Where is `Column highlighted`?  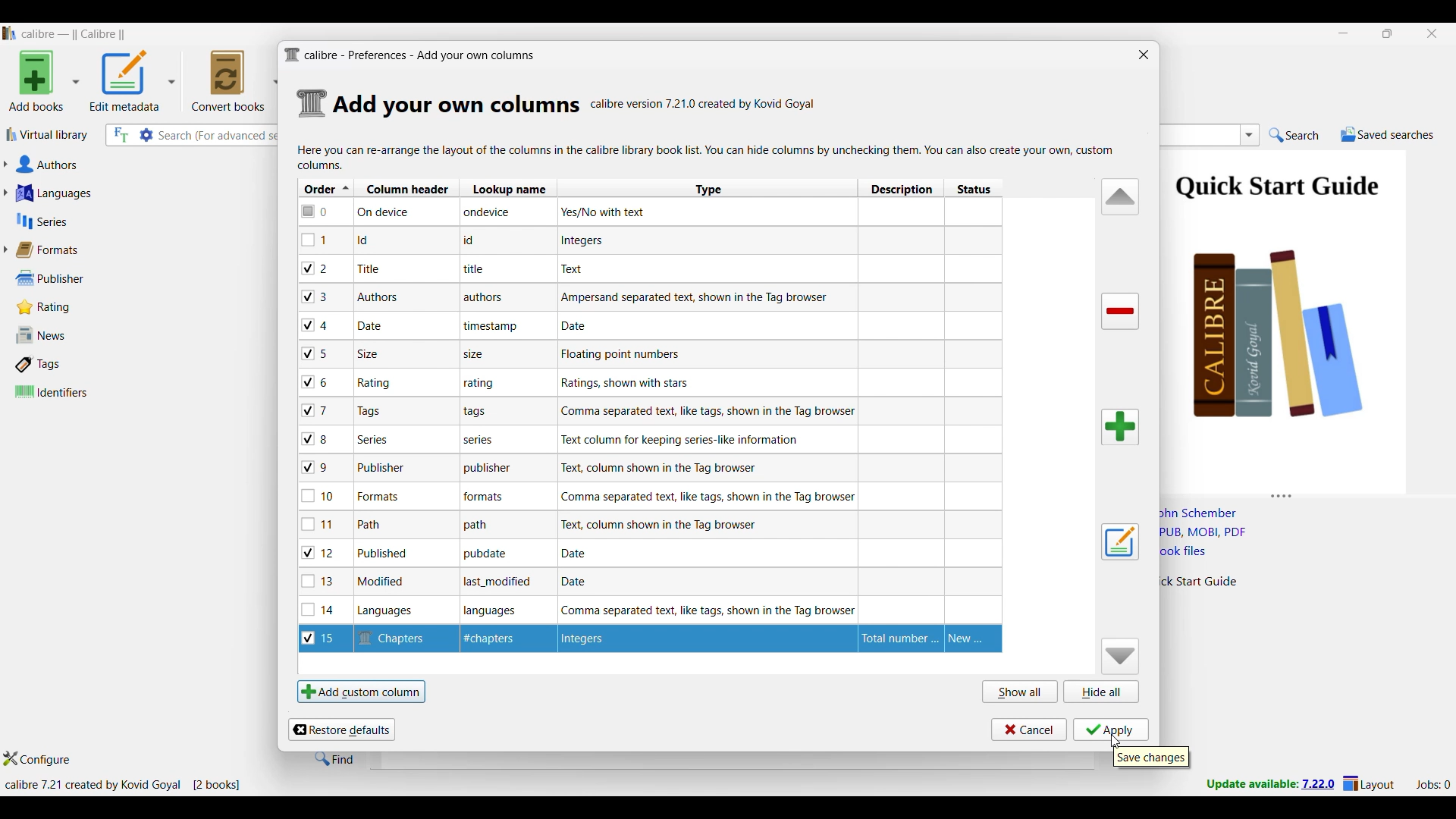
Column highlighted is located at coordinates (933, 405).